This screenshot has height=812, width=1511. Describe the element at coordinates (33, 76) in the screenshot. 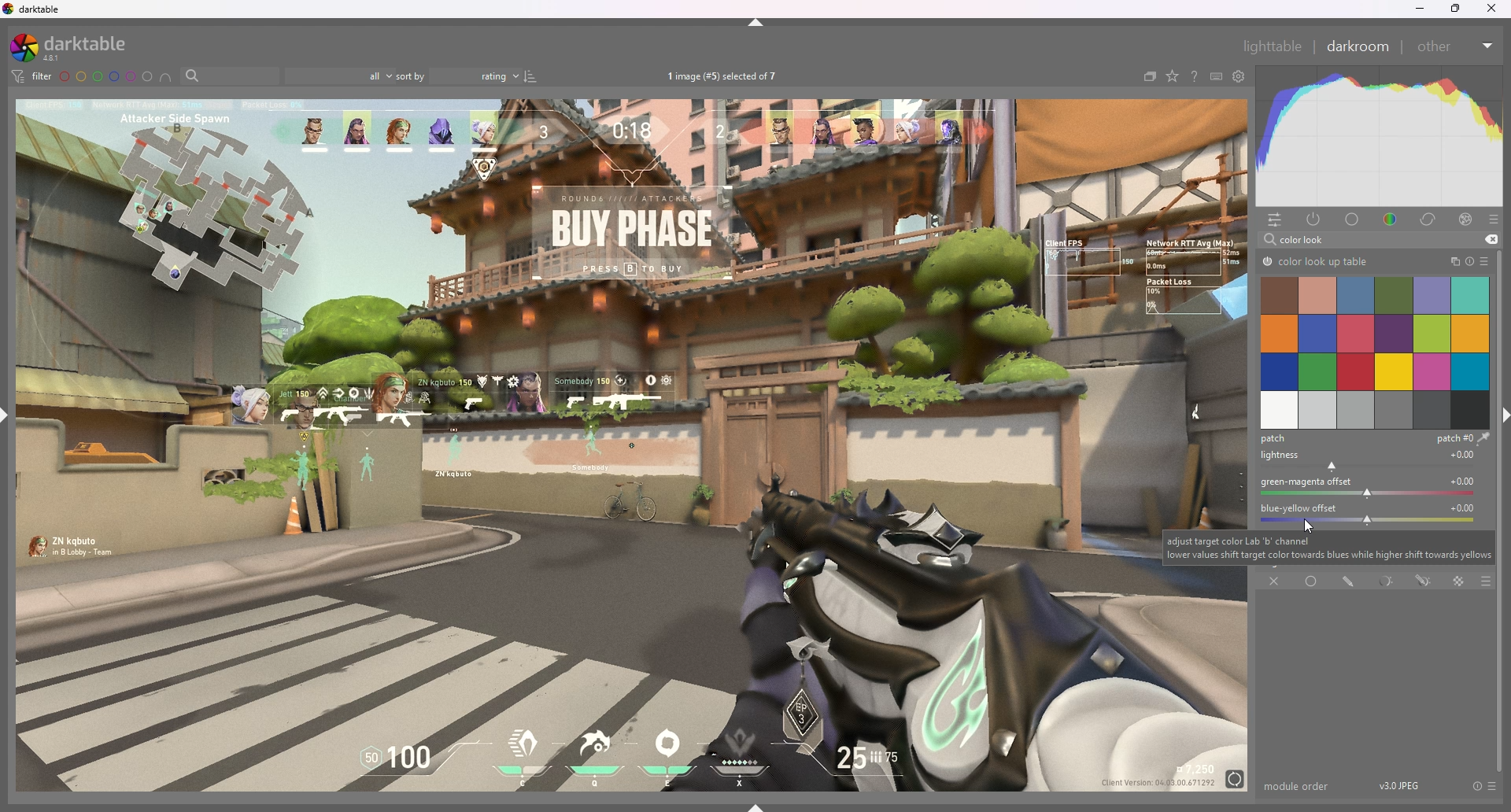

I see `filter` at that location.